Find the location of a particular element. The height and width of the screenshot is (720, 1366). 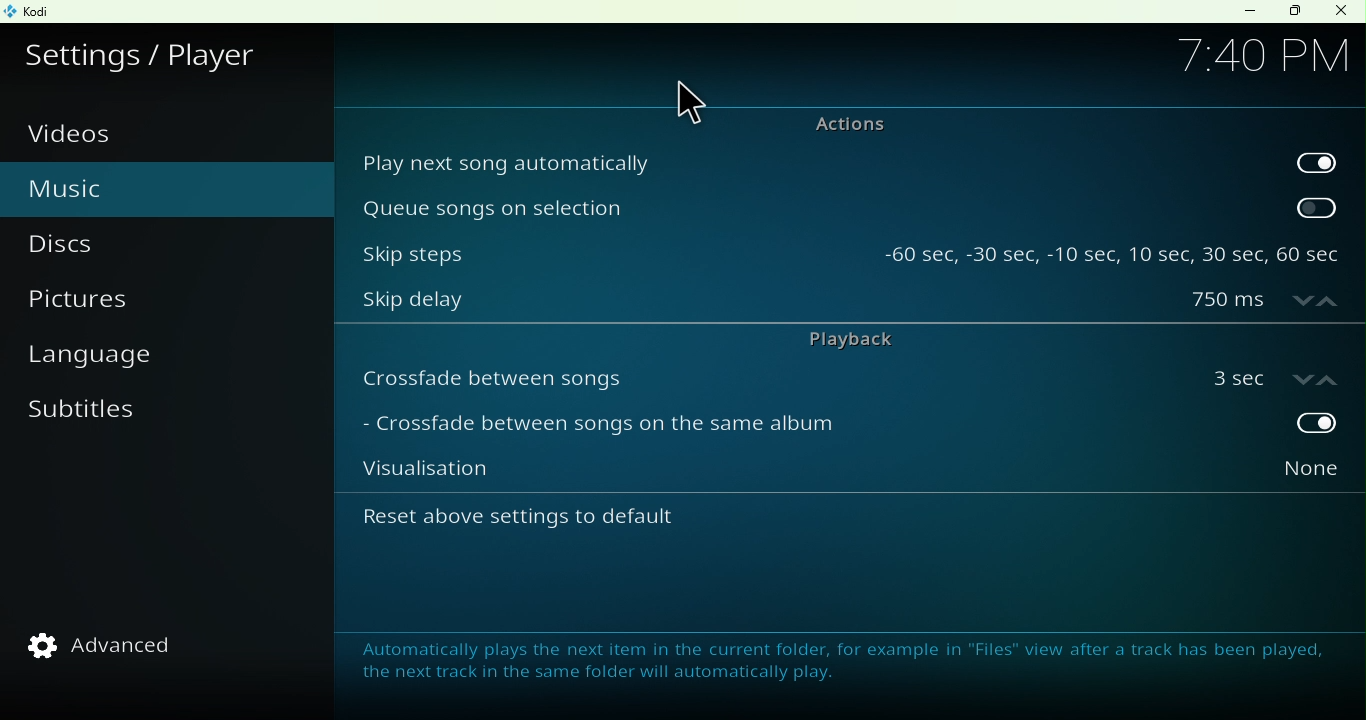

Music is located at coordinates (112, 186).